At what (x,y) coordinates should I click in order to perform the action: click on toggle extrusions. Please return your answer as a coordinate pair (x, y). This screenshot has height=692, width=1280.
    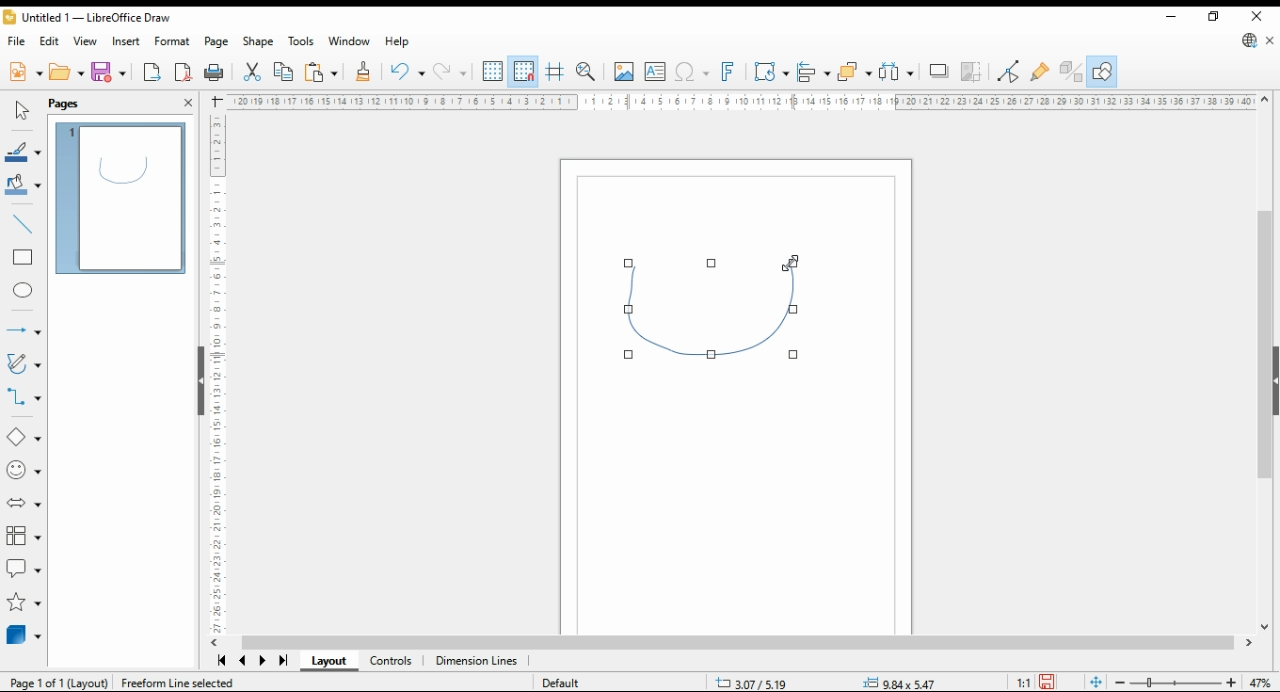
    Looking at the image, I should click on (1070, 72).